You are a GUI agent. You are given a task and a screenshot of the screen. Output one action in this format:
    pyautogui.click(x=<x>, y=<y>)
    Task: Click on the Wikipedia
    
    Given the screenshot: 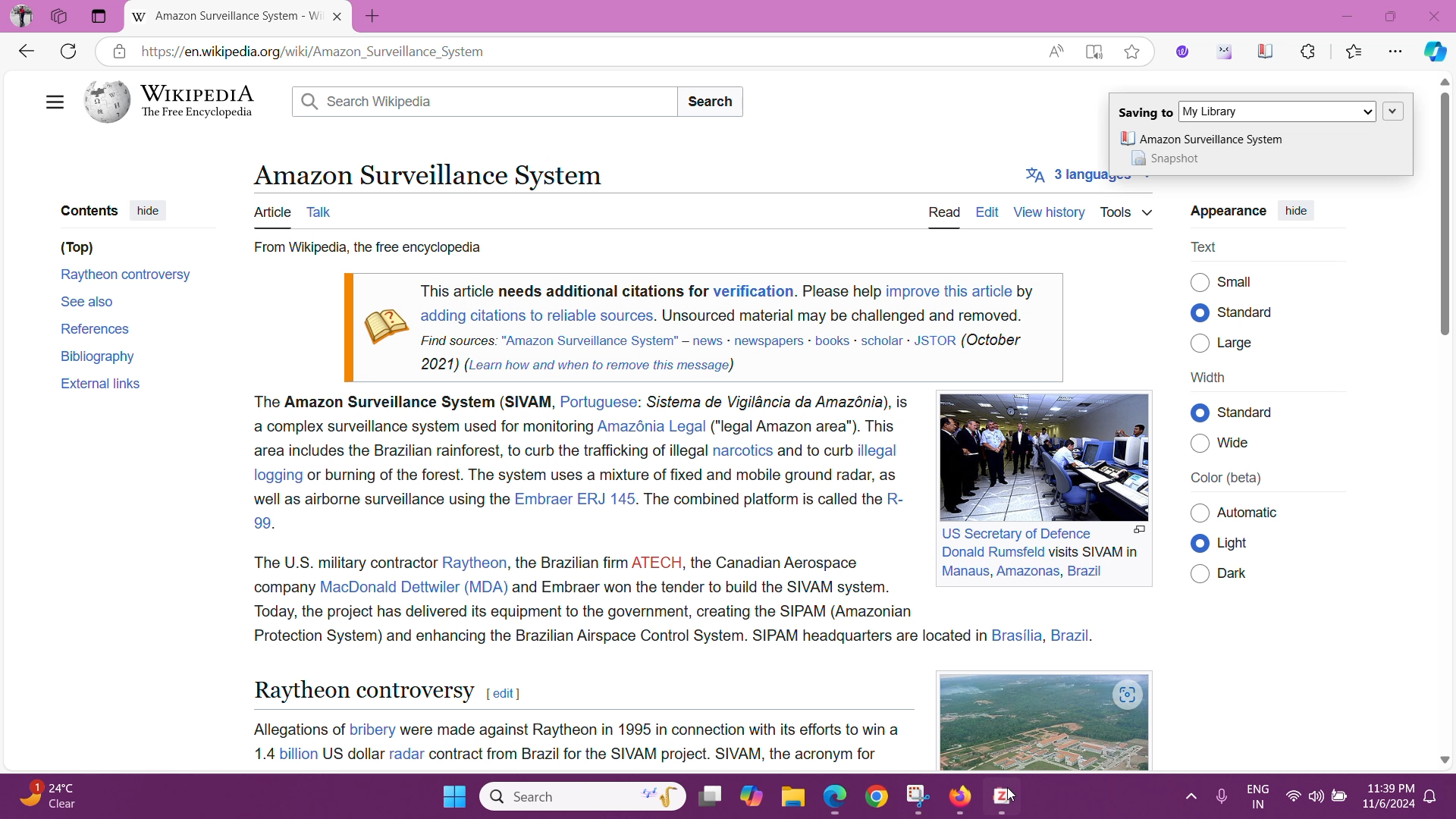 What is the action you would take?
    pyautogui.click(x=175, y=102)
    